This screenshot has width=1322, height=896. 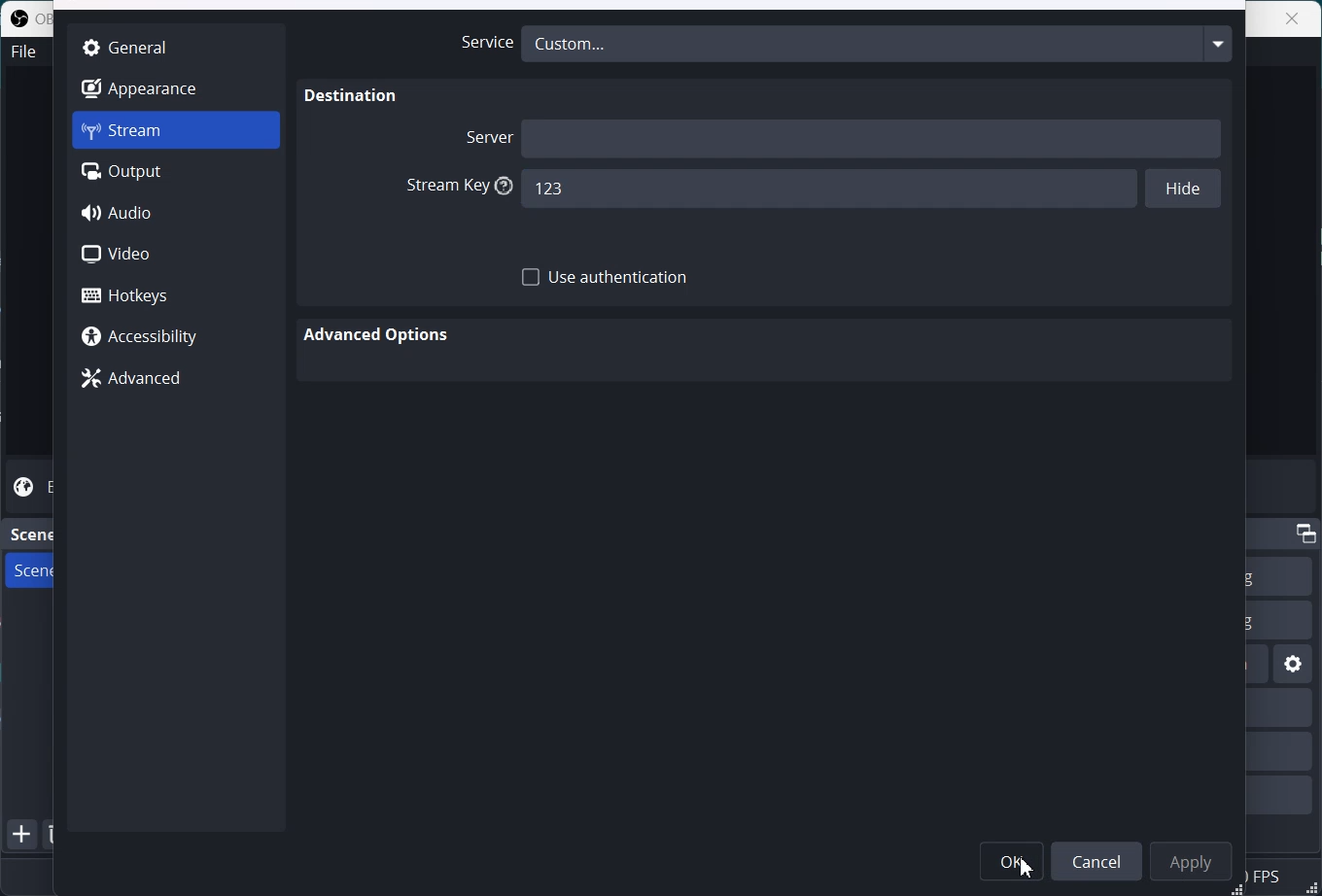 I want to click on Server, so click(x=486, y=136).